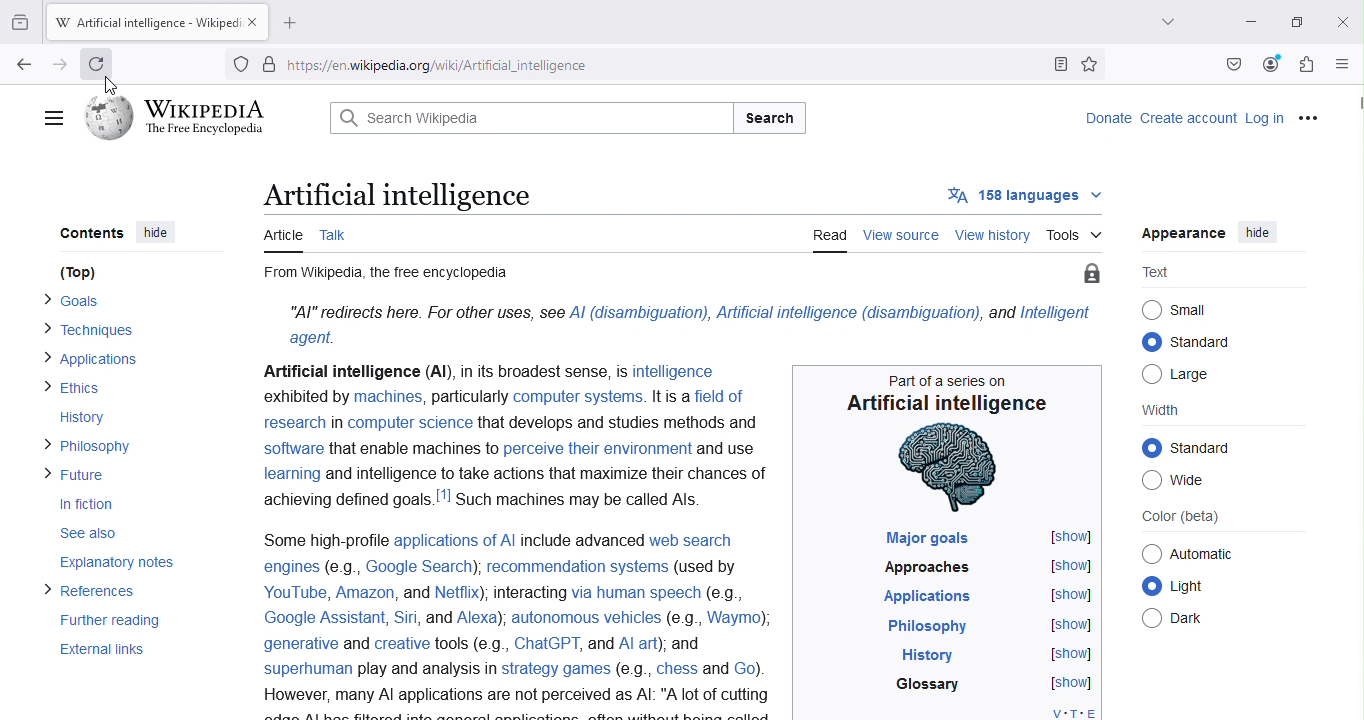 This screenshot has width=1364, height=720. What do you see at coordinates (1029, 193) in the screenshot?
I see `158 languages` at bounding box center [1029, 193].